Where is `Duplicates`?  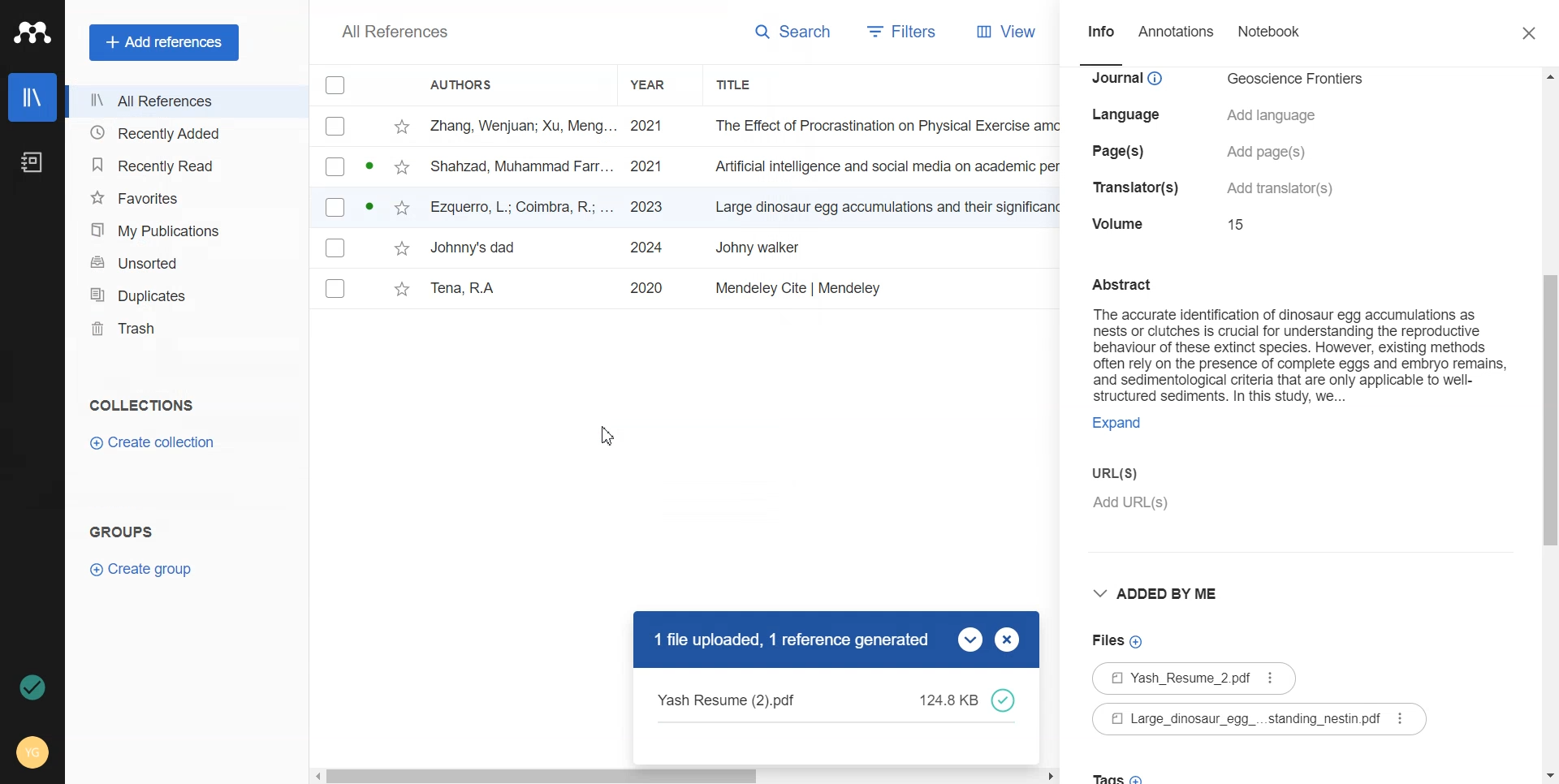 Duplicates is located at coordinates (185, 295).